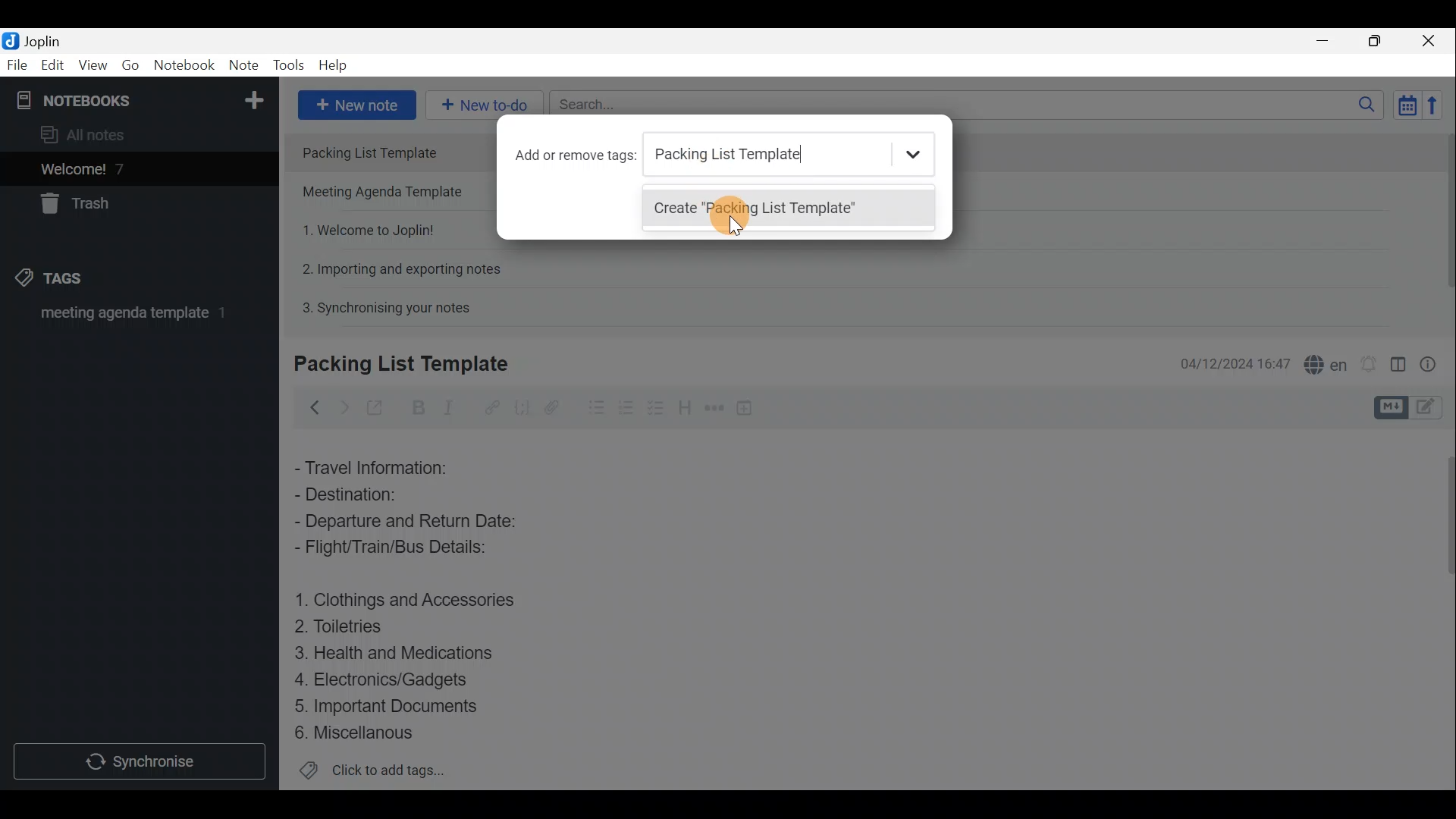  Describe the element at coordinates (392, 365) in the screenshot. I see `Creating new note` at that location.